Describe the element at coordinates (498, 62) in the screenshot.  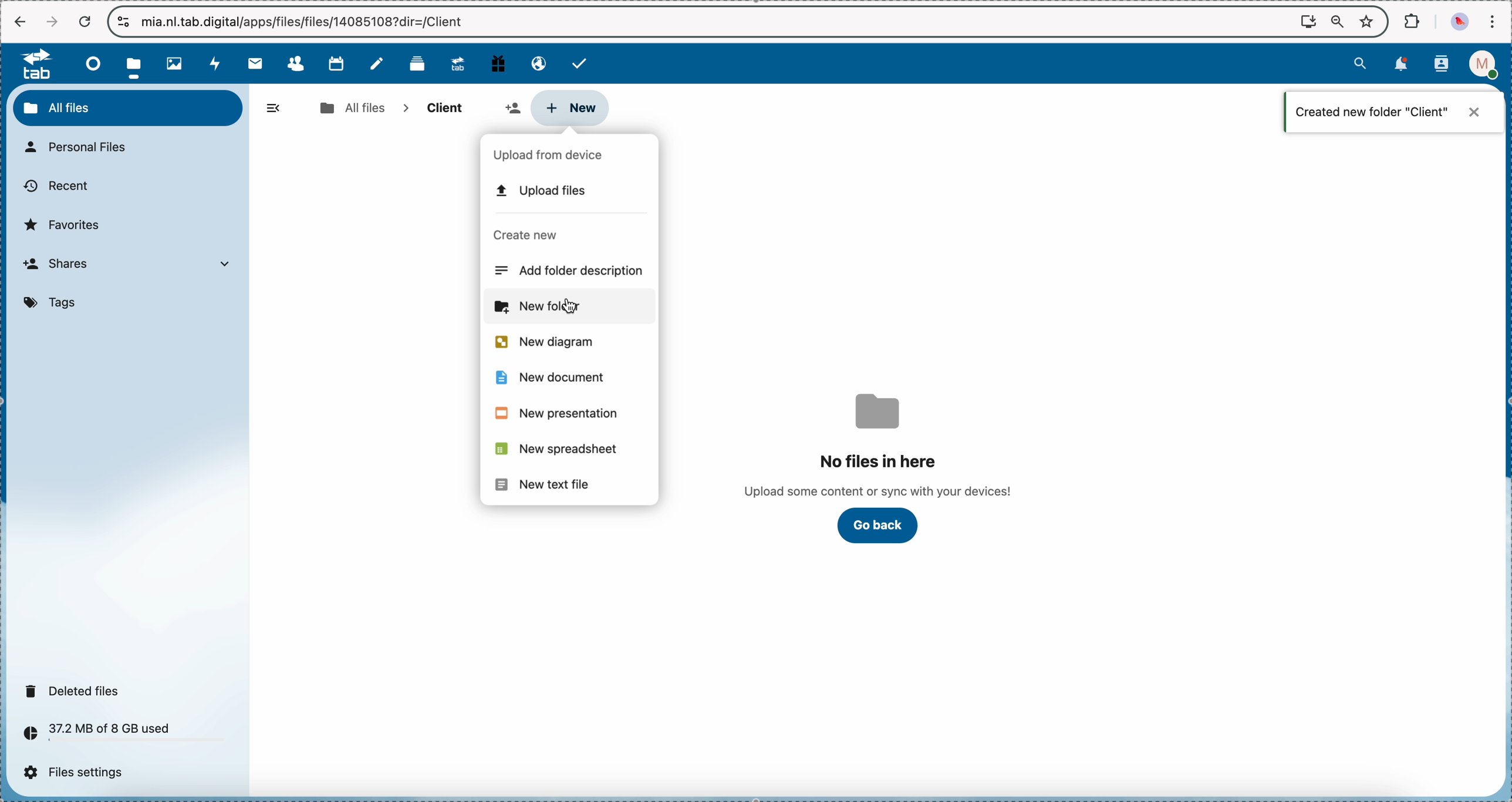
I see `free` at that location.